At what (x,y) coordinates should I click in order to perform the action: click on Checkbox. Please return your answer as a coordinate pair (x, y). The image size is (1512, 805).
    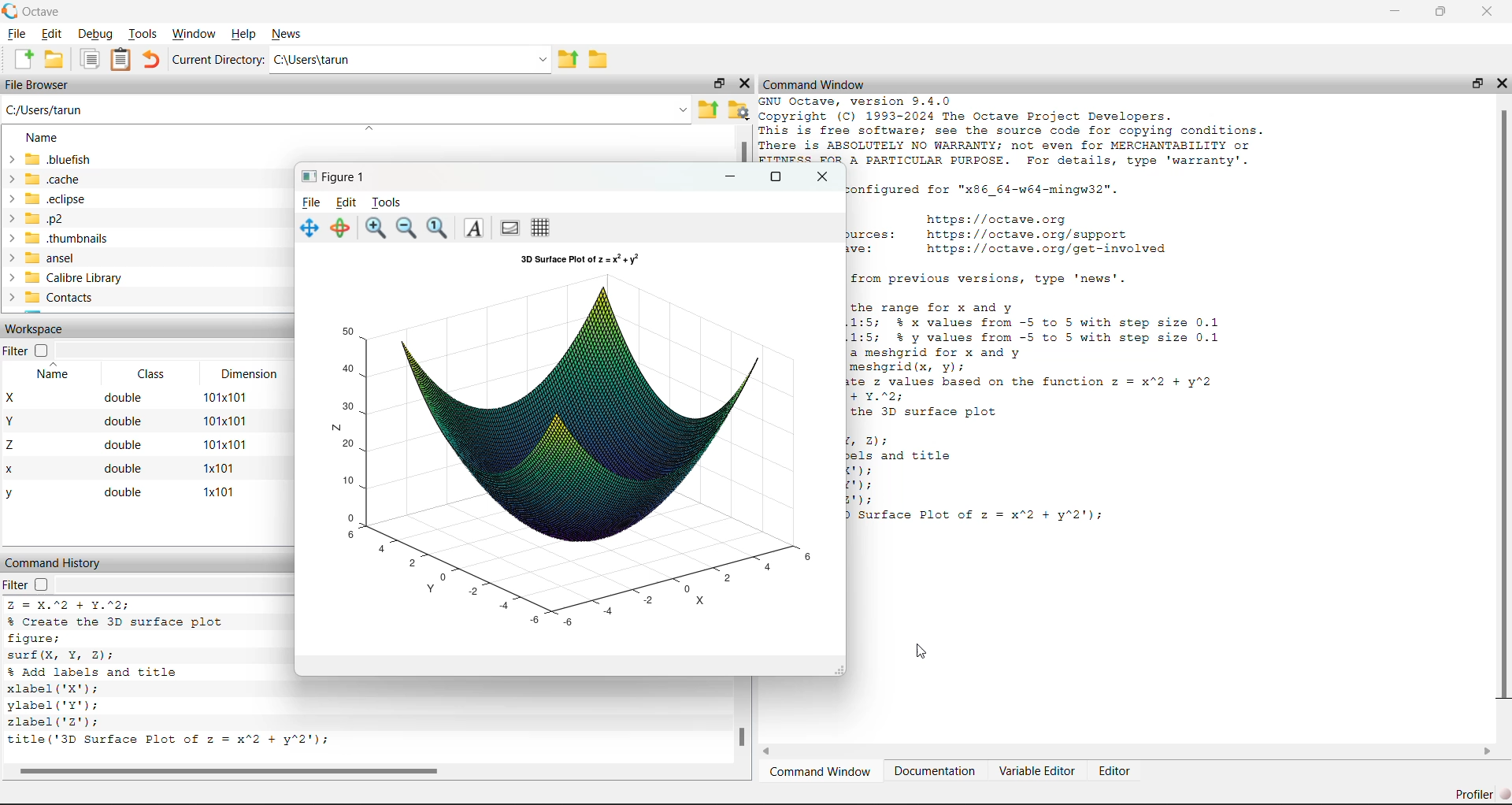
    Looking at the image, I should click on (42, 584).